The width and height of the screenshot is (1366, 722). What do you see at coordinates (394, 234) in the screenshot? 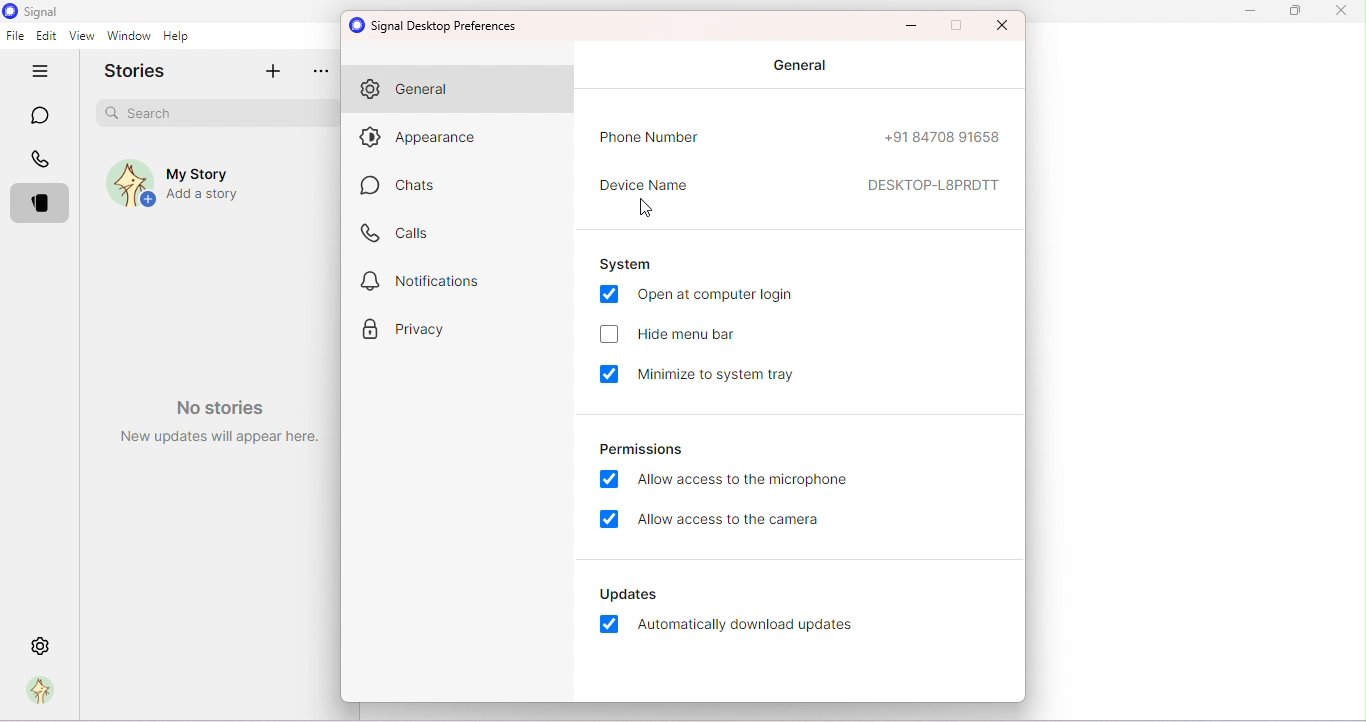
I see `Calls` at bounding box center [394, 234].